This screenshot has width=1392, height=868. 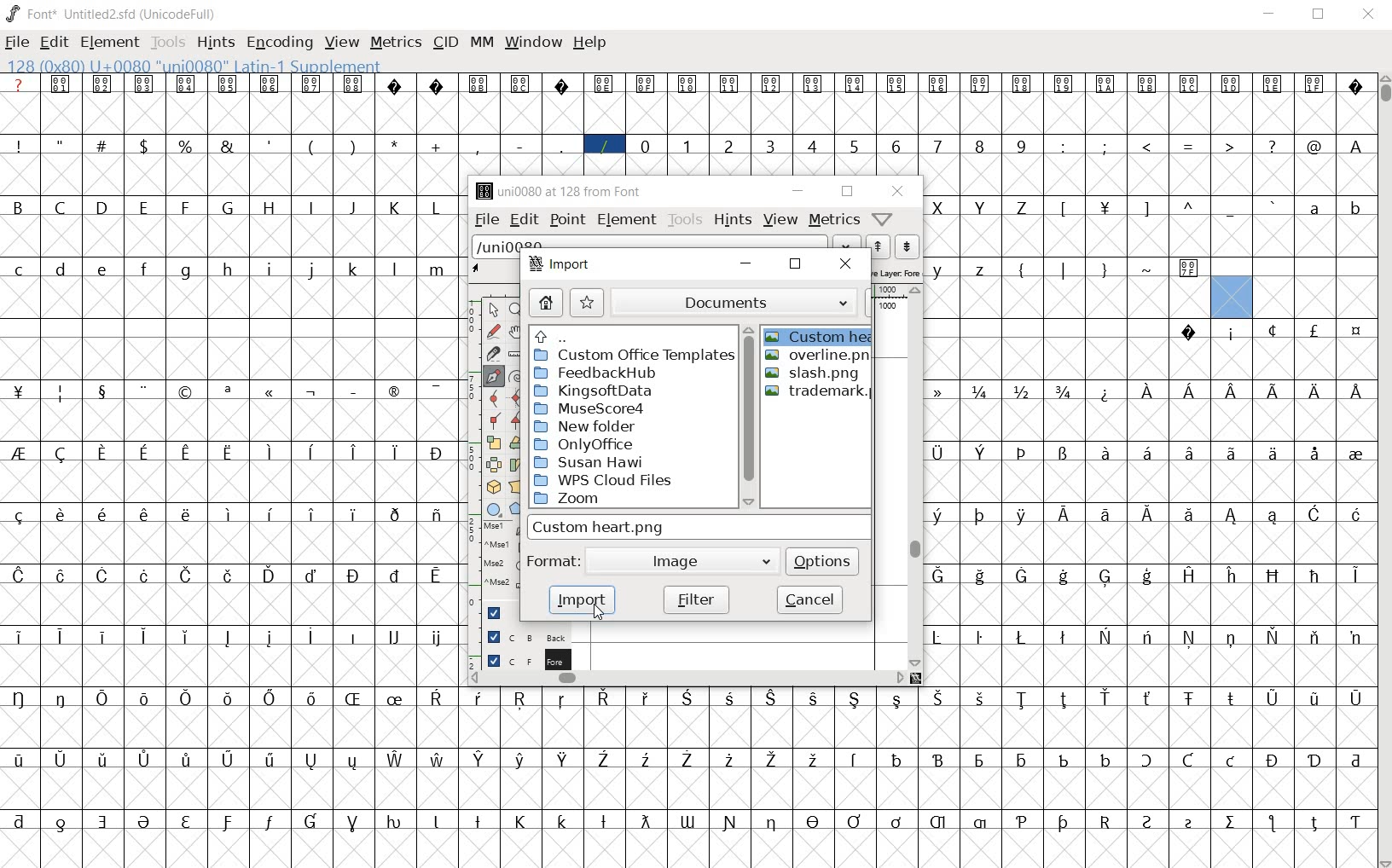 What do you see at coordinates (145, 760) in the screenshot?
I see `glyph` at bounding box center [145, 760].